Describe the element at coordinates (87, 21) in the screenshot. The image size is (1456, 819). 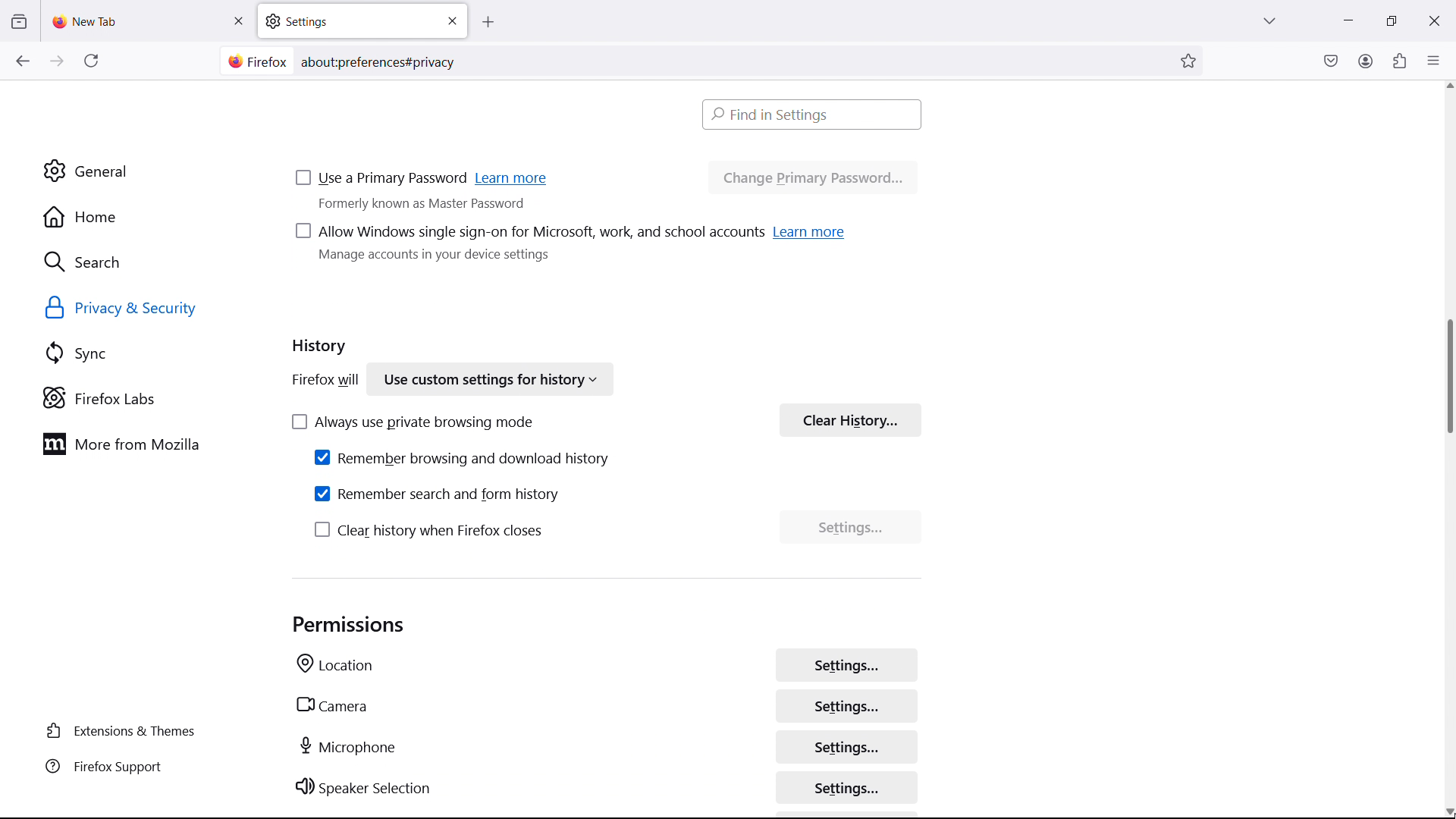
I see `new tab` at that location.